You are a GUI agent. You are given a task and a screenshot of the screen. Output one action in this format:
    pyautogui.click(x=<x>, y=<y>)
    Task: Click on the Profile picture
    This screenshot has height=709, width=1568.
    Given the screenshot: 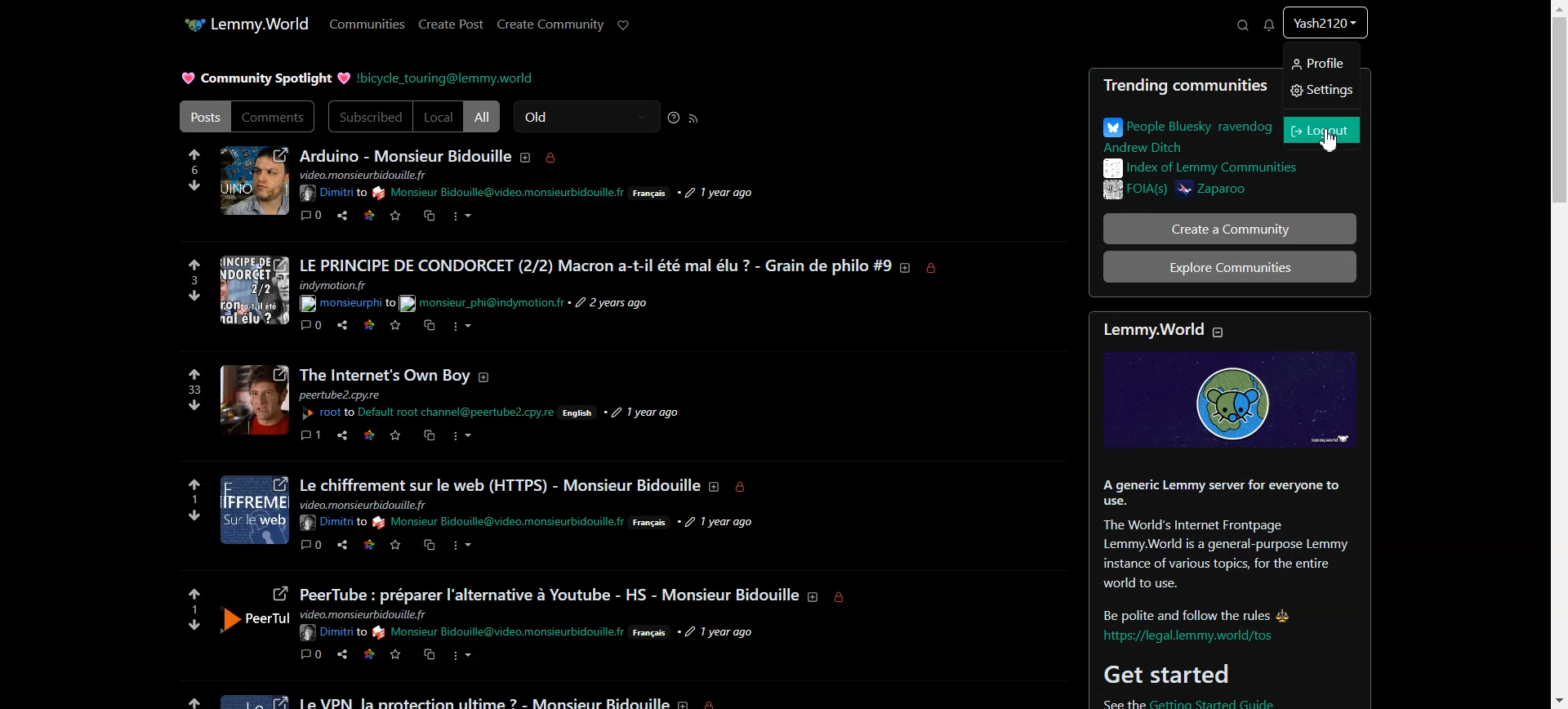 What is the action you would take?
    pyautogui.click(x=385, y=376)
    